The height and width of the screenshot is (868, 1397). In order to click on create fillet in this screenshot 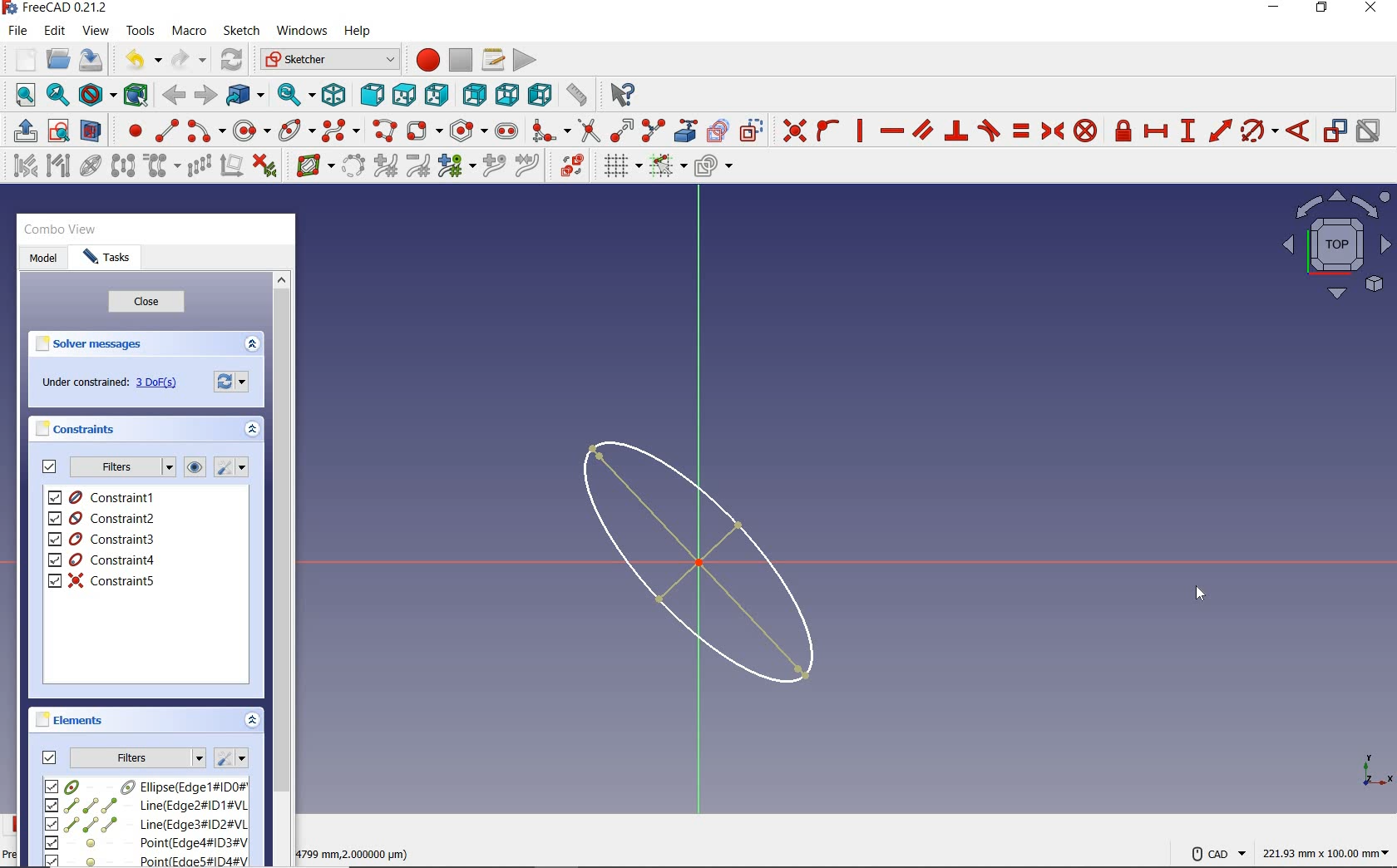, I will do `click(550, 128)`.